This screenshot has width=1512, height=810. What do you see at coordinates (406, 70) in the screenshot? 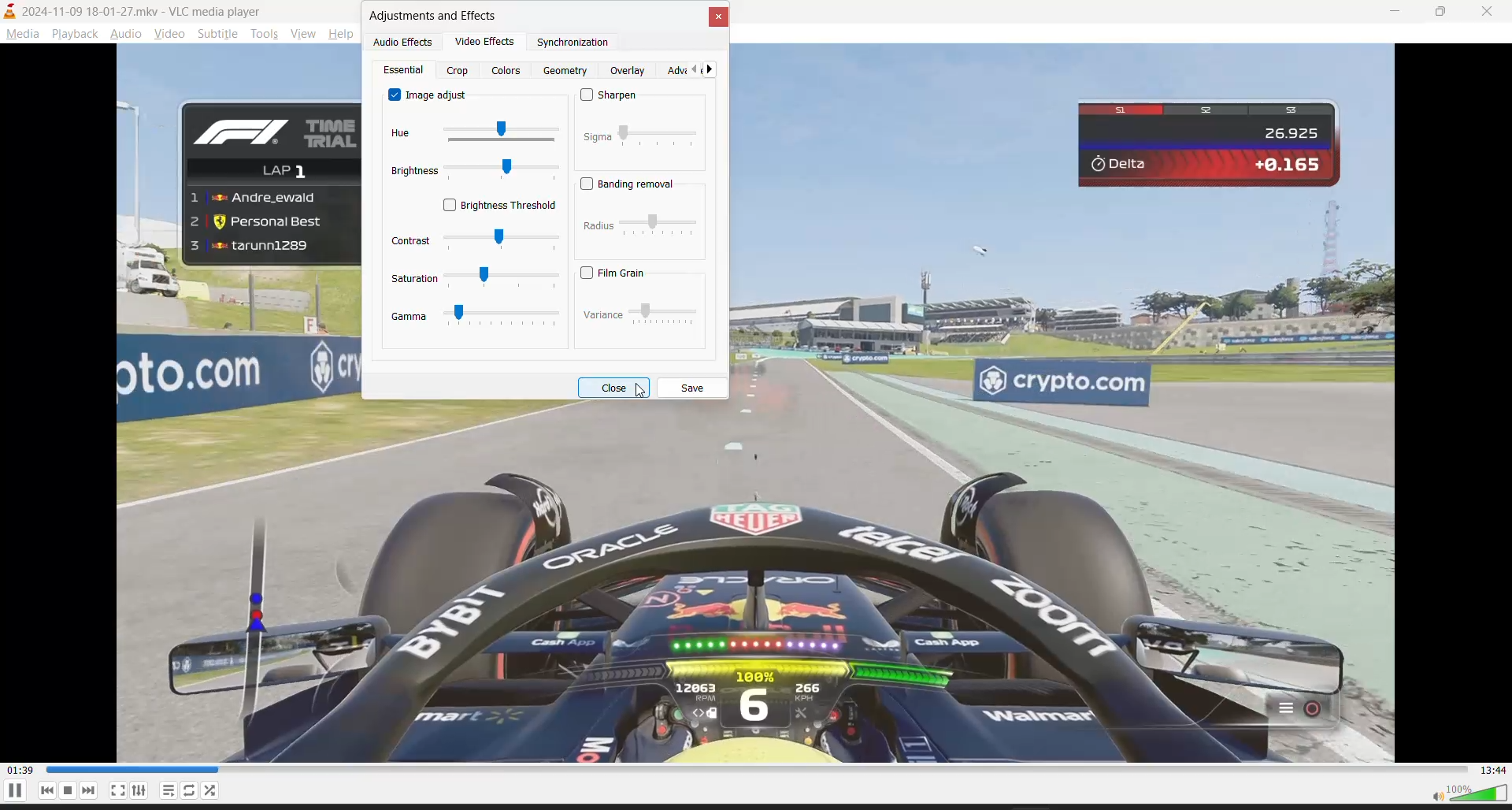
I see `essential` at bounding box center [406, 70].